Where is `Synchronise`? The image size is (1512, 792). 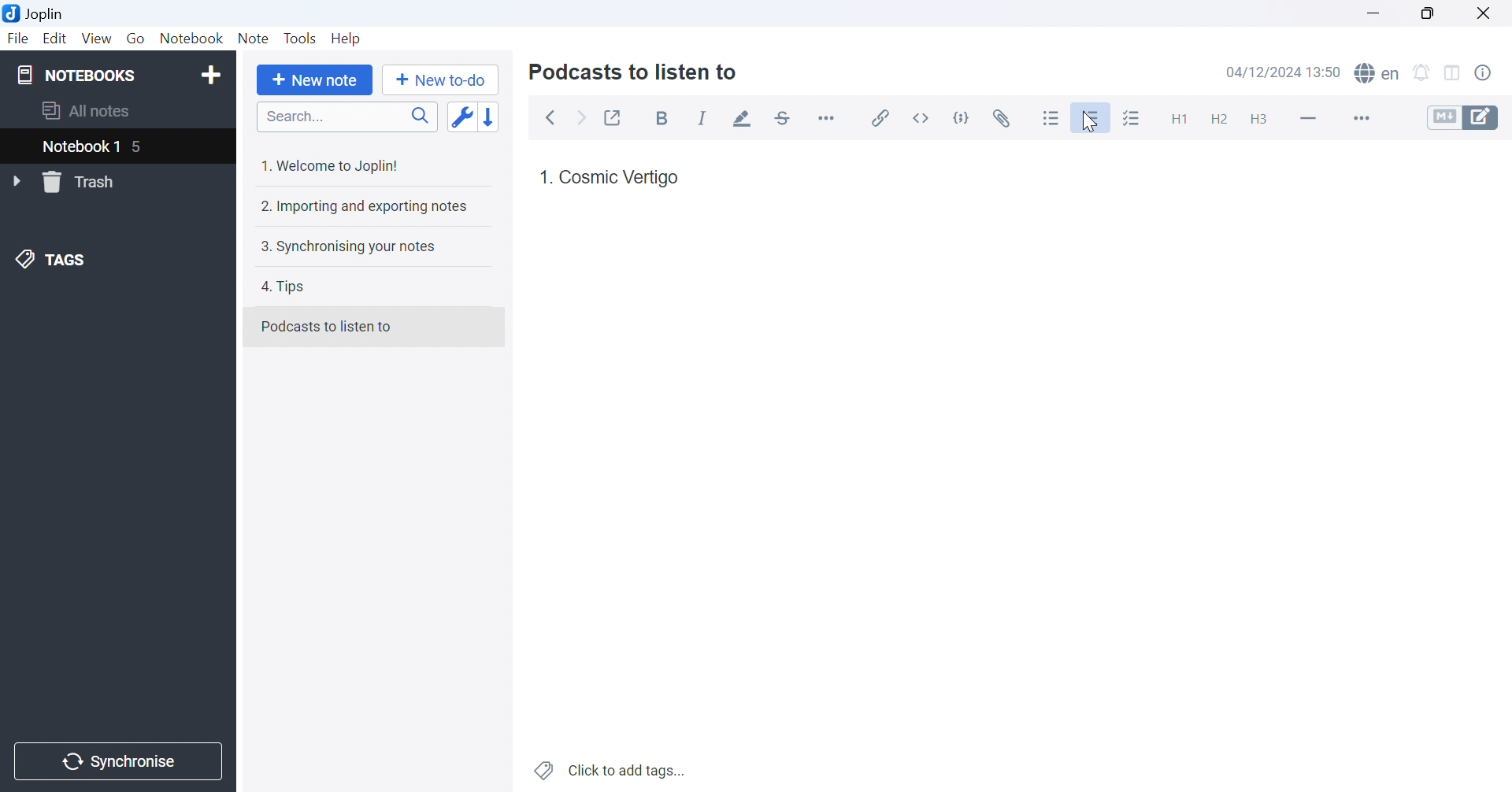 Synchronise is located at coordinates (120, 762).